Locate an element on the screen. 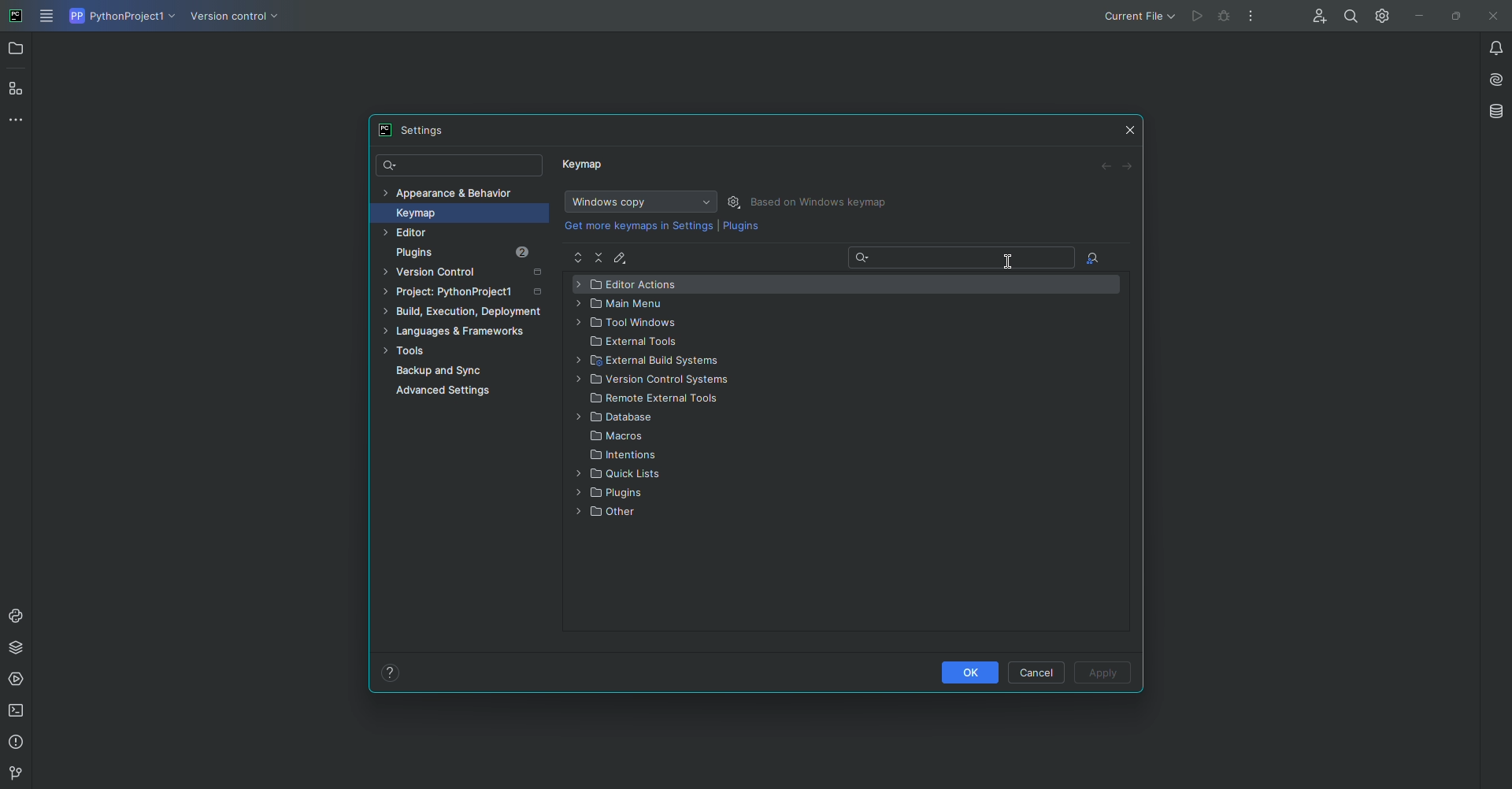 The image size is (1512, 789). Version Control is located at coordinates (468, 274).